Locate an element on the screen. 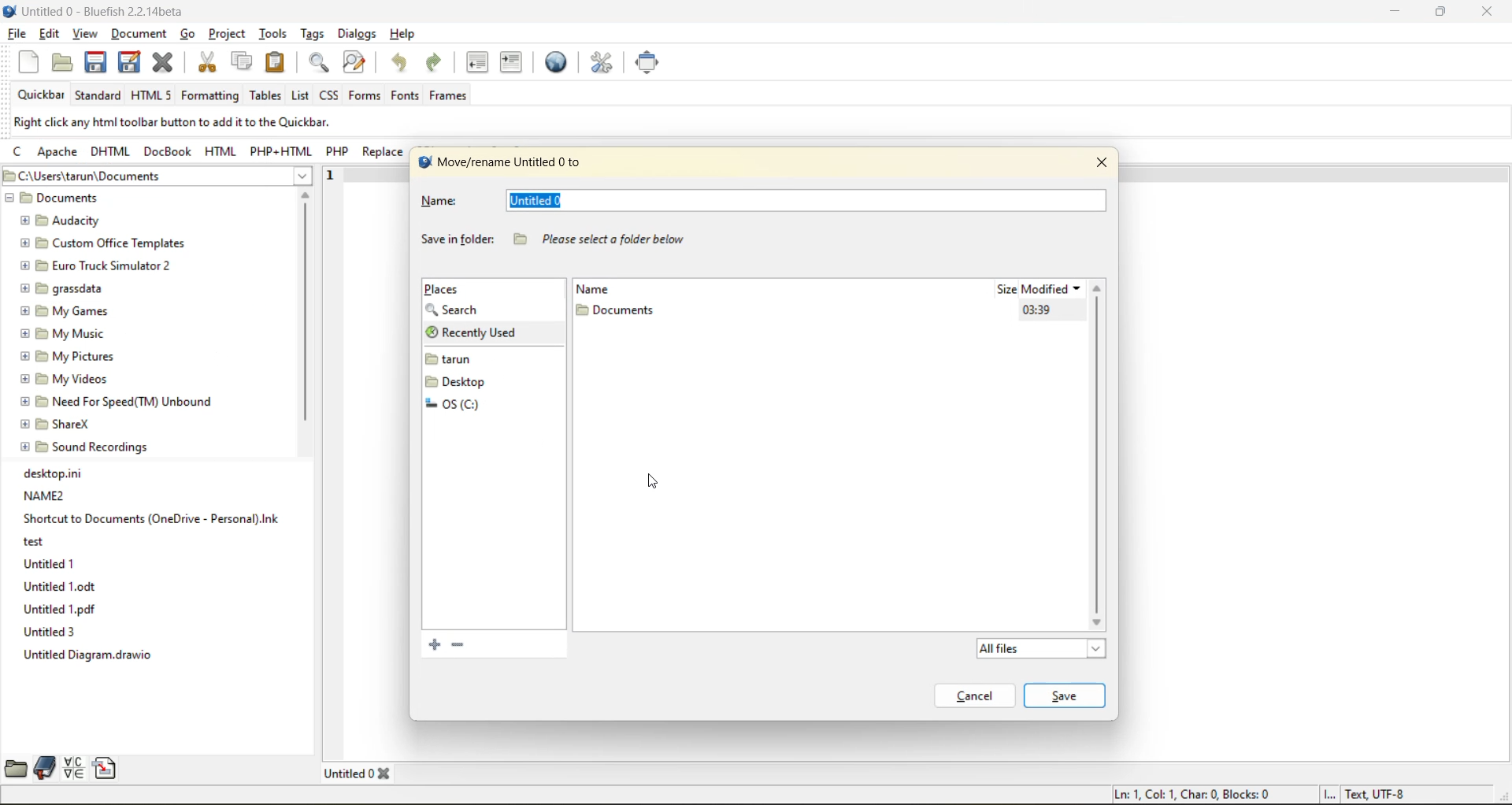 The height and width of the screenshot is (805, 1512). NAME2 is located at coordinates (50, 496).